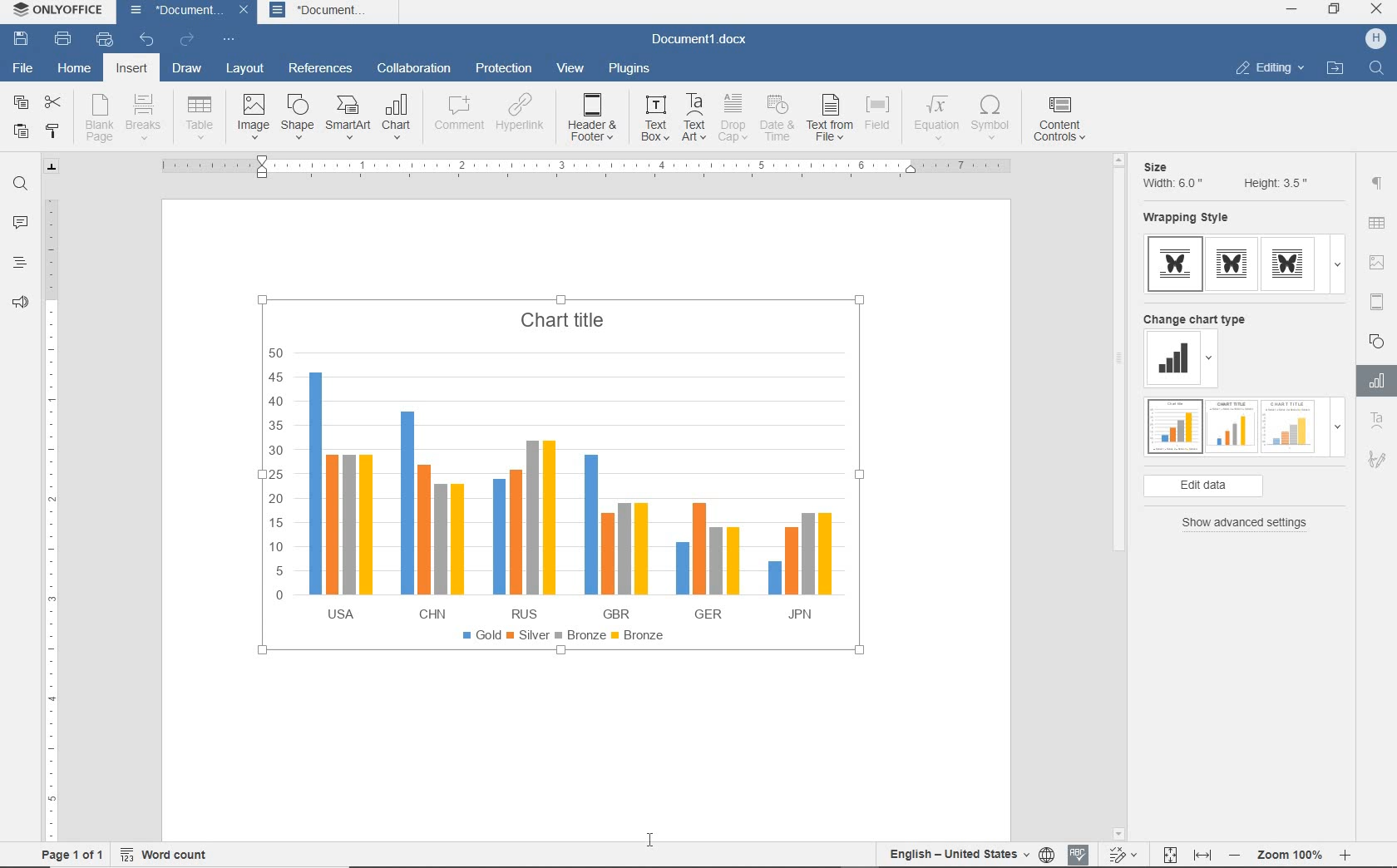 The height and width of the screenshot is (868, 1397). What do you see at coordinates (74, 71) in the screenshot?
I see `home` at bounding box center [74, 71].